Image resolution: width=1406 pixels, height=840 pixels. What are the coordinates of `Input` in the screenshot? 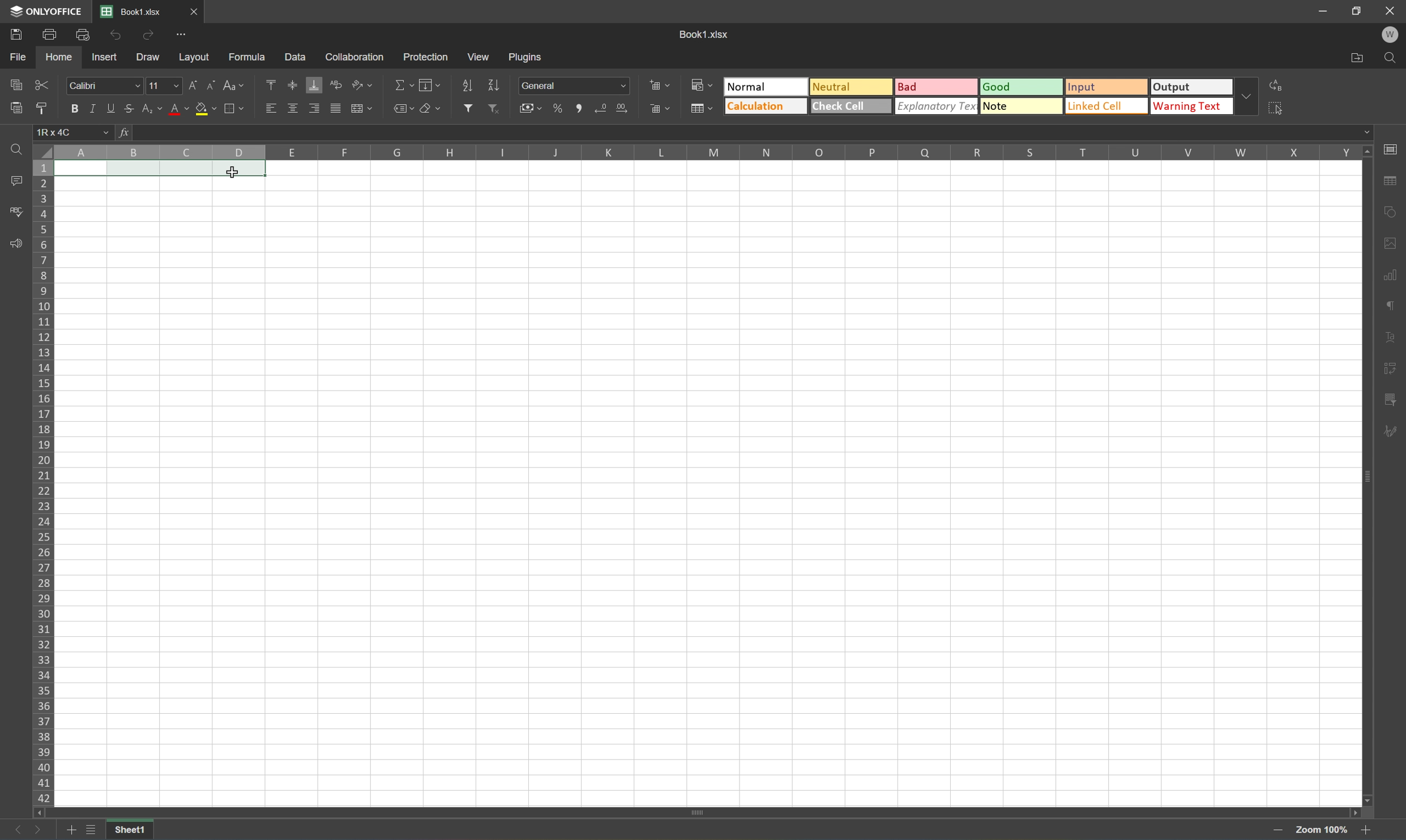 It's located at (1106, 88).